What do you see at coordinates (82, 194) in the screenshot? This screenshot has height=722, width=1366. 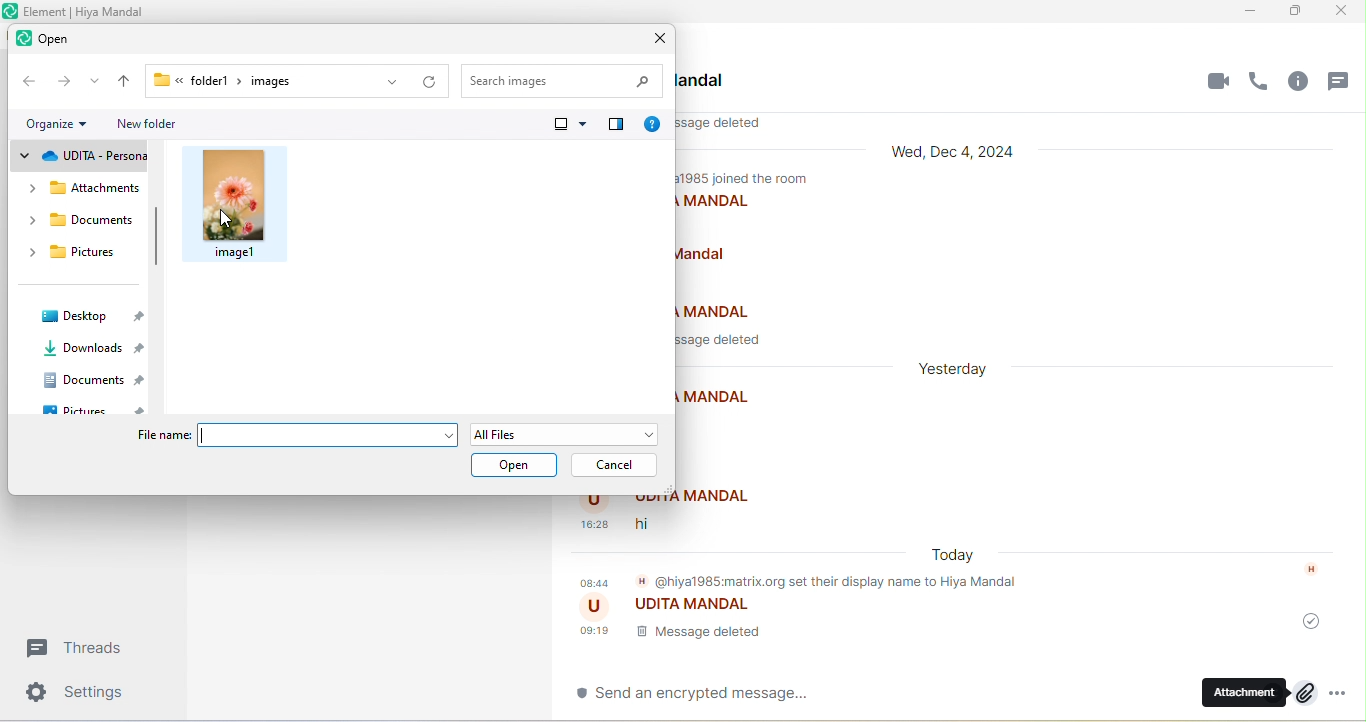 I see `attachments` at bounding box center [82, 194].